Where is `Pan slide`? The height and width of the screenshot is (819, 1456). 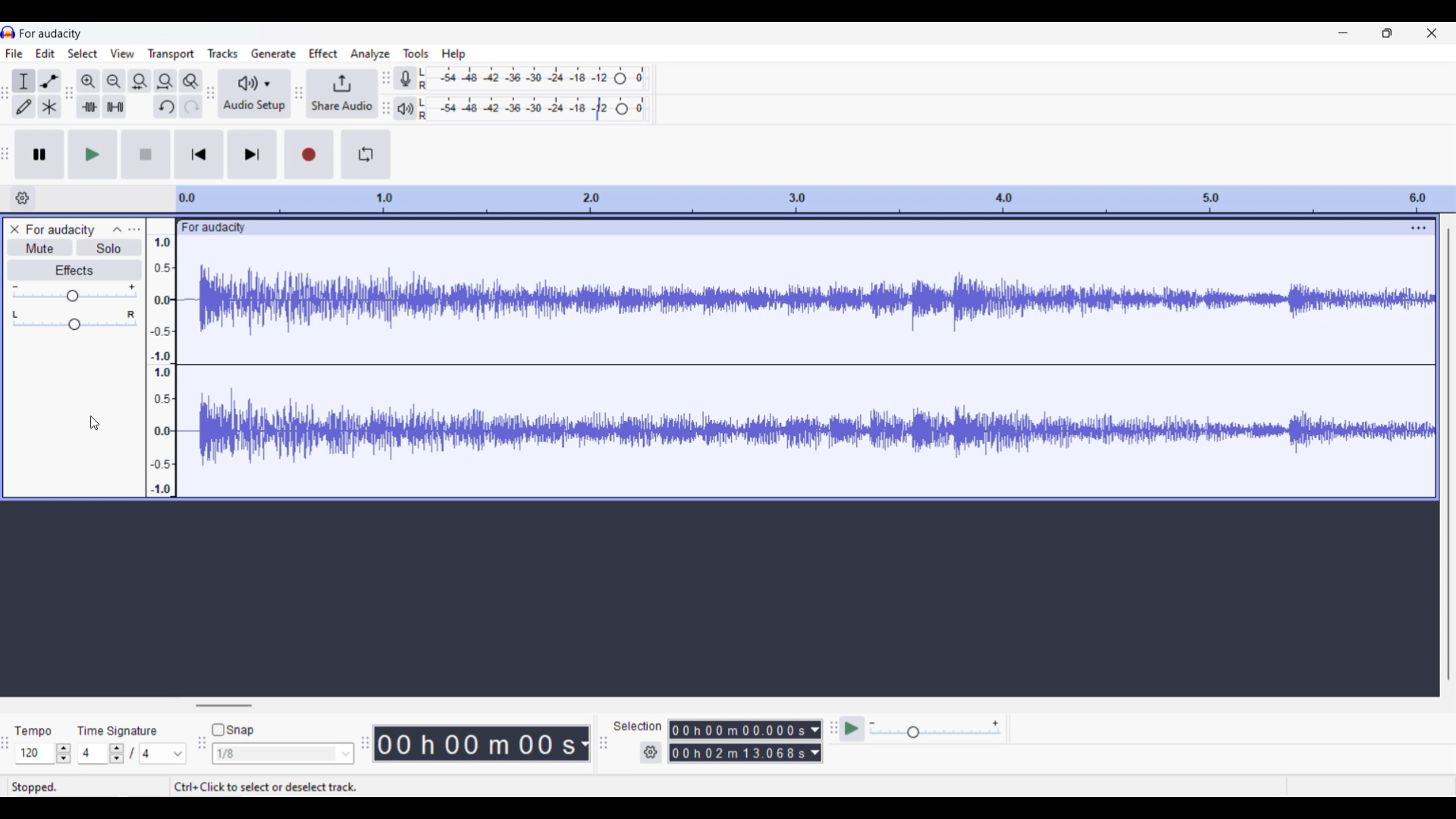 Pan slide is located at coordinates (74, 320).